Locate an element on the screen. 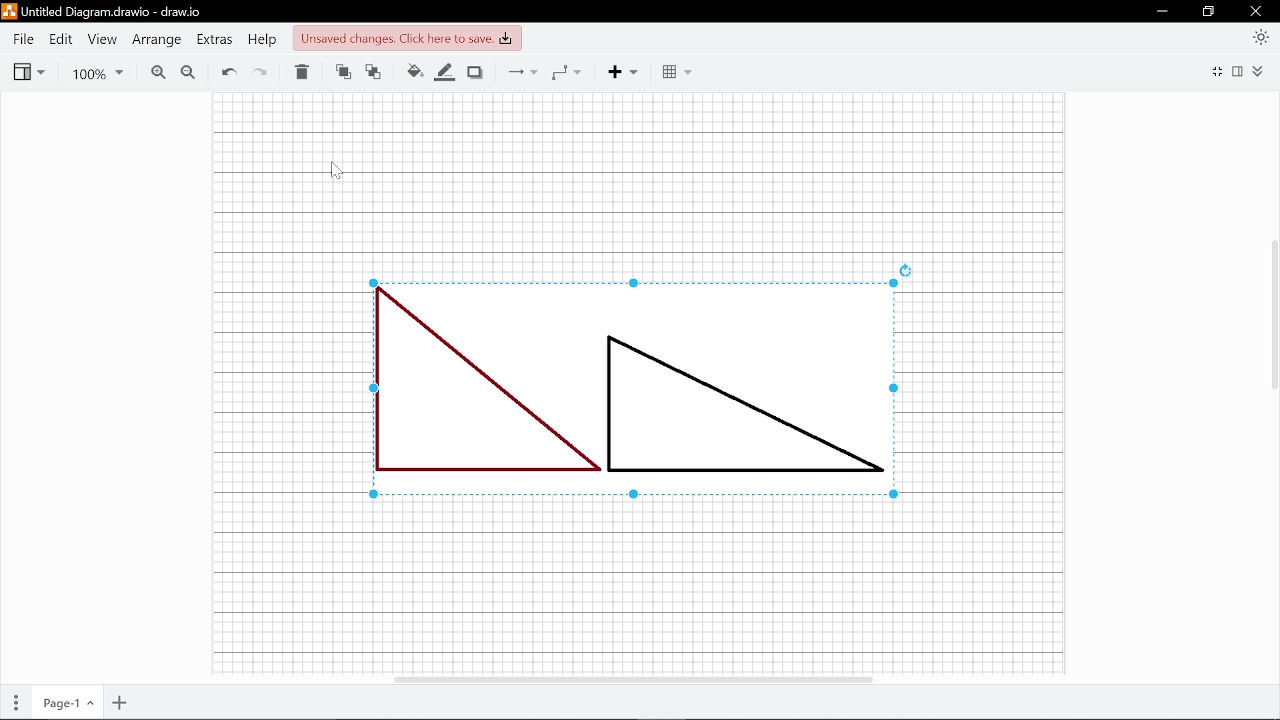 Image resolution: width=1280 pixels, height=720 pixels. Pages is located at coordinates (14, 703).